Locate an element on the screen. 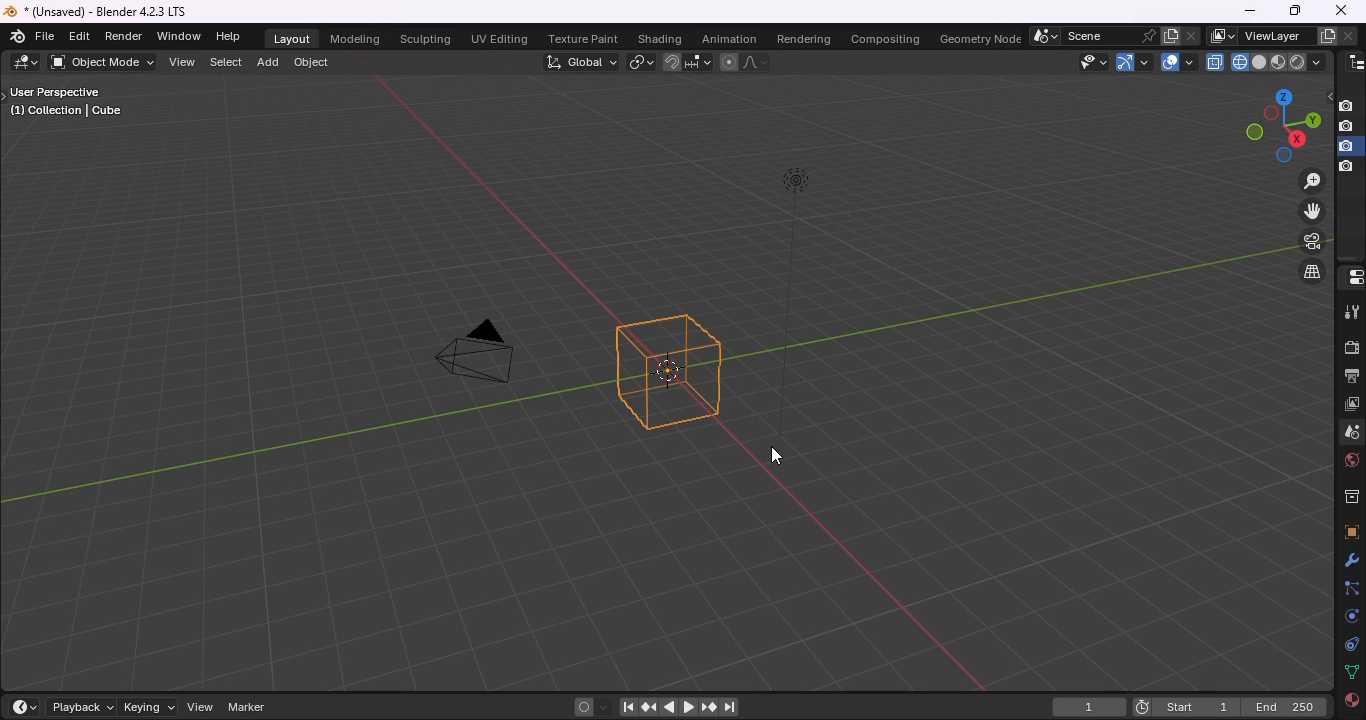 This screenshot has width=1366, height=720. Material is located at coordinates (1351, 703).